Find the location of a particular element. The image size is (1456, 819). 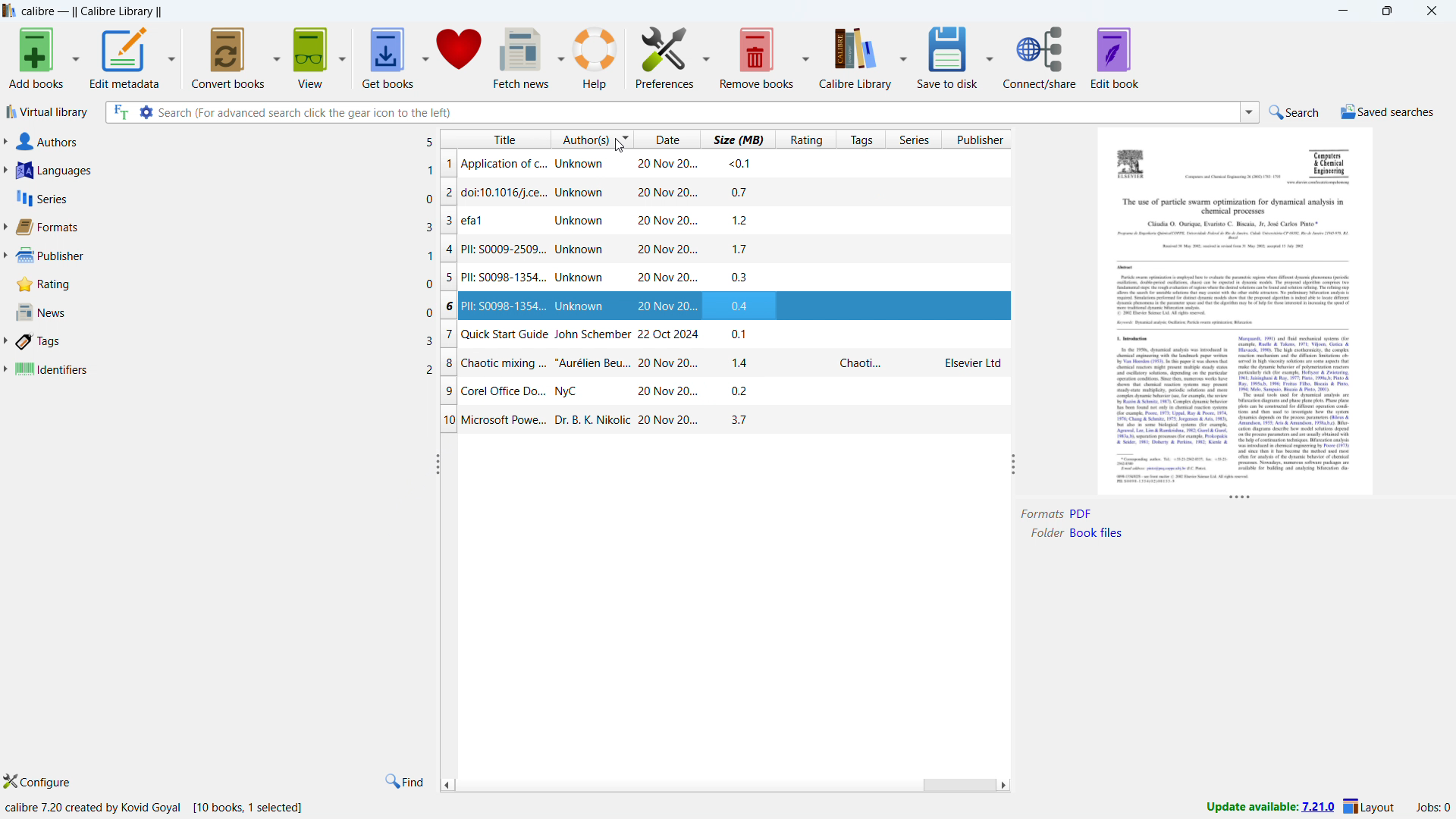

 is located at coordinates (1331, 161).